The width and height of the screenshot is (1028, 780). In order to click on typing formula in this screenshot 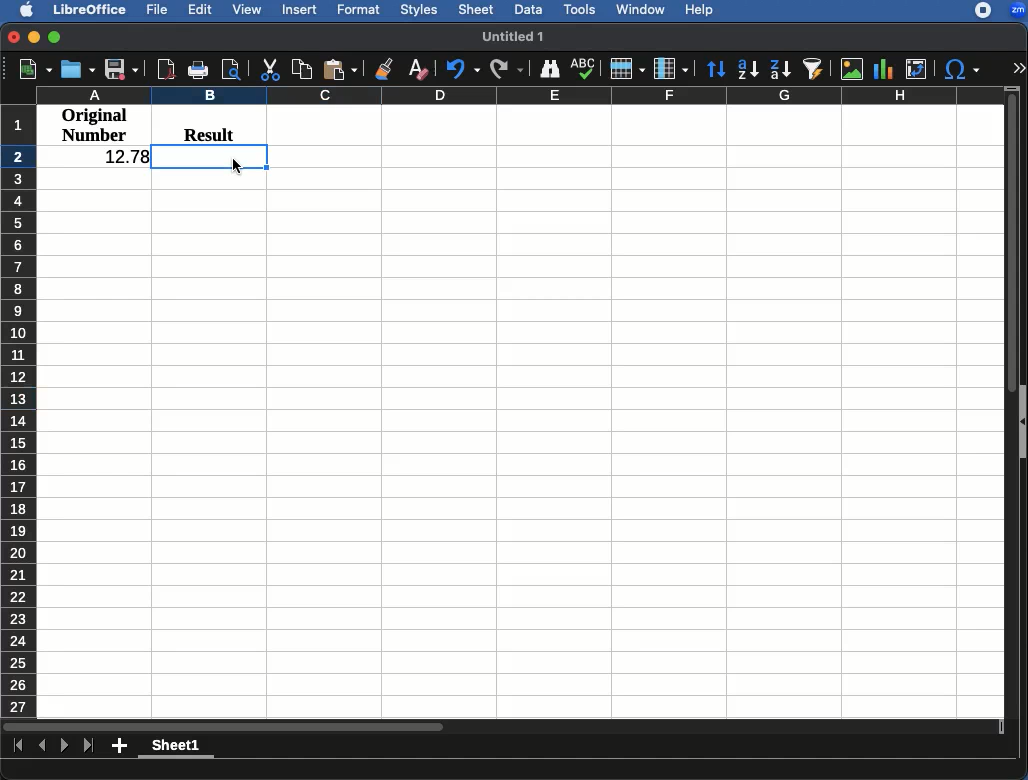, I will do `click(210, 157)`.